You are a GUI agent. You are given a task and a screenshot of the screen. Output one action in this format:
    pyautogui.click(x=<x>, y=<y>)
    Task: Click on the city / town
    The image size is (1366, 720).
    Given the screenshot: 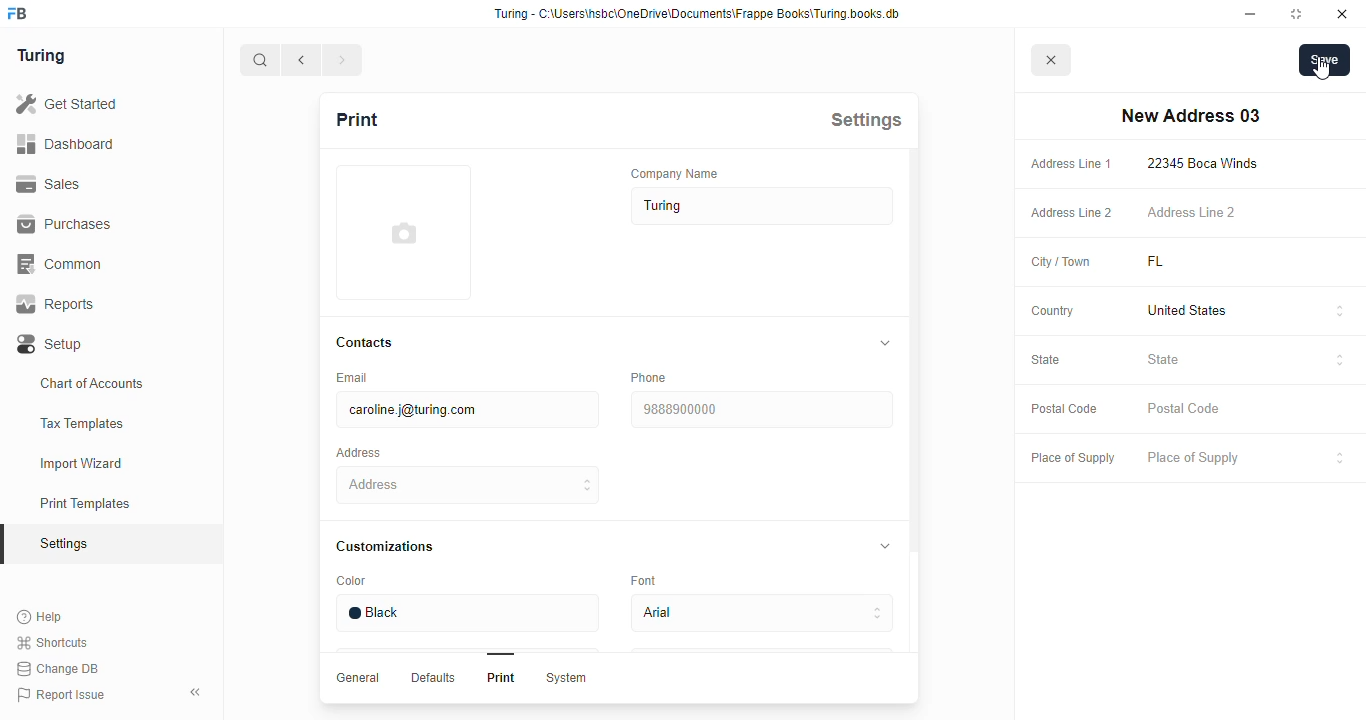 What is the action you would take?
    pyautogui.click(x=1062, y=263)
    